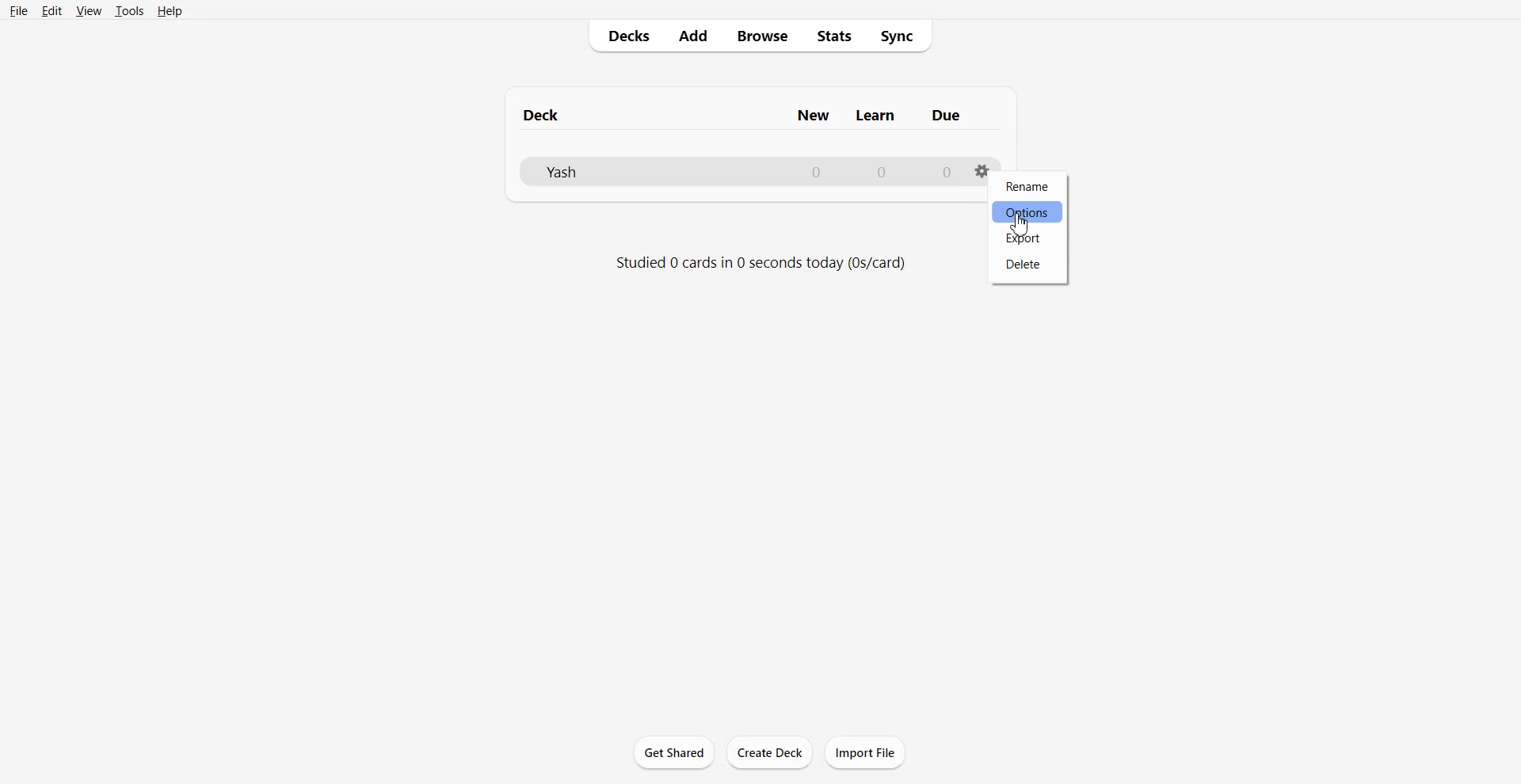  Describe the element at coordinates (1027, 212) in the screenshot. I see `Options` at that location.